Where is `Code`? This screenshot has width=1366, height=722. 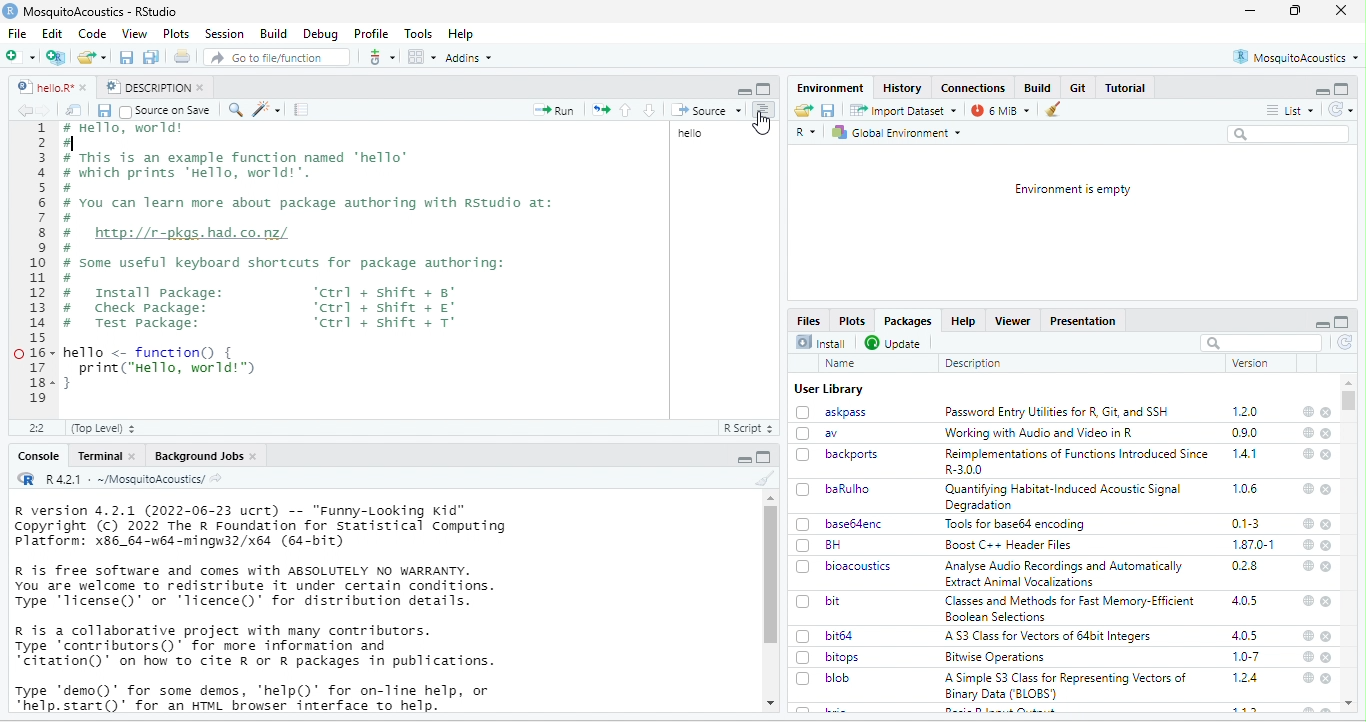
Code is located at coordinates (93, 33).